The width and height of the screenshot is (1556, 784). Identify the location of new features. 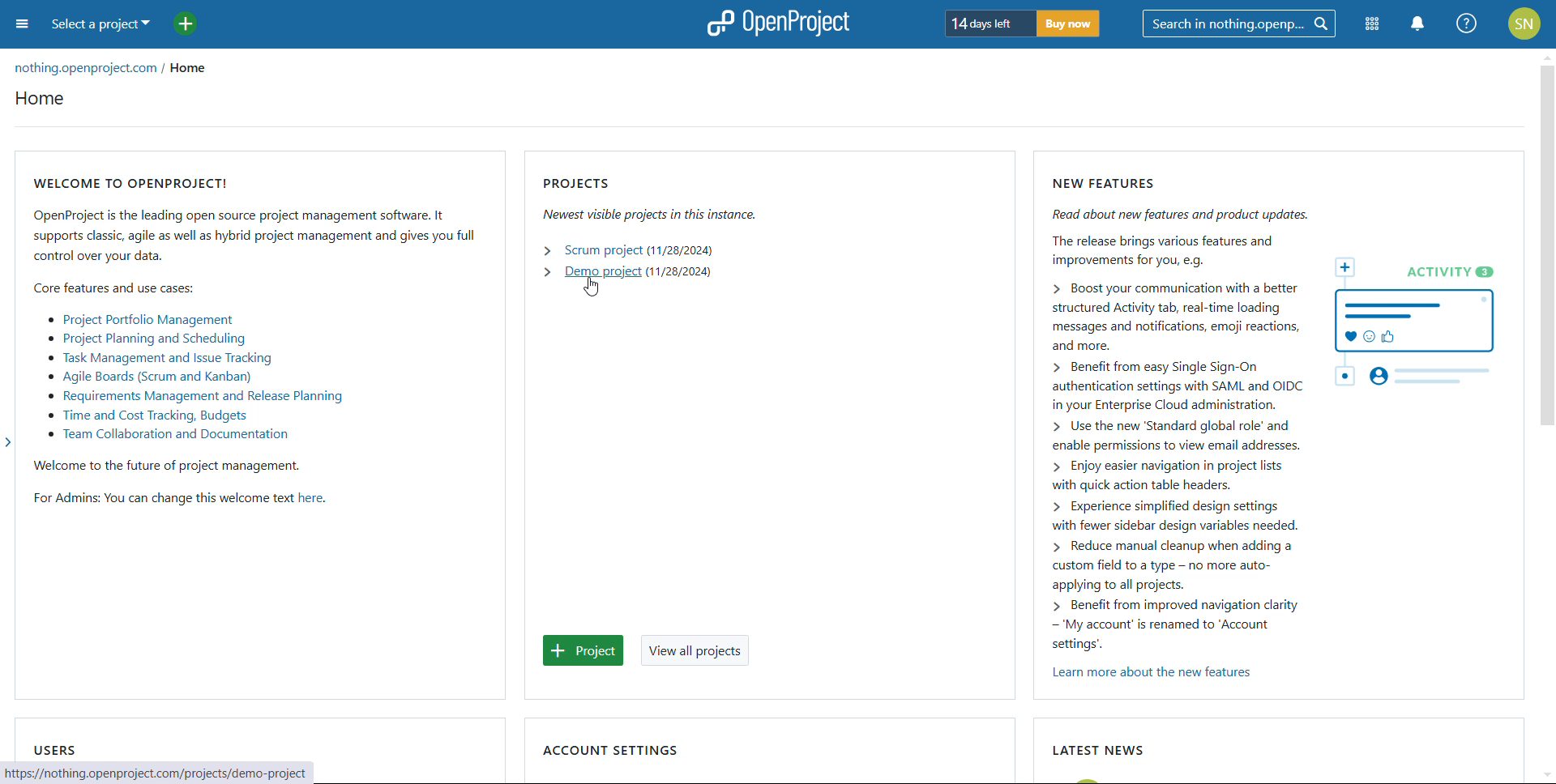
(1282, 415).